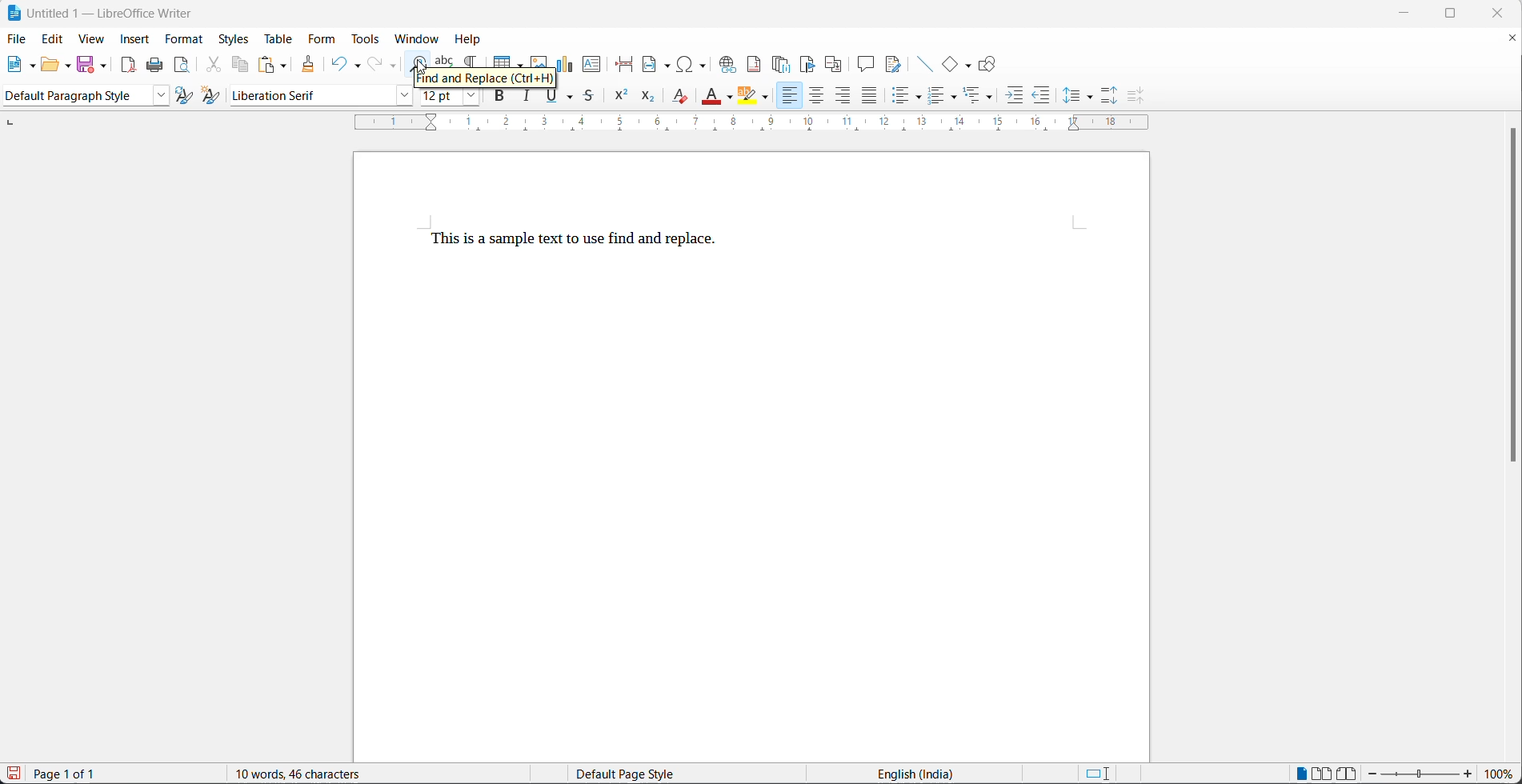 The width and height of the screenshot is (1522, 784). What do you see at coordinates (1091, 98) in the screenshot?
I see `line spacing` at bounding box center [1091, 98].